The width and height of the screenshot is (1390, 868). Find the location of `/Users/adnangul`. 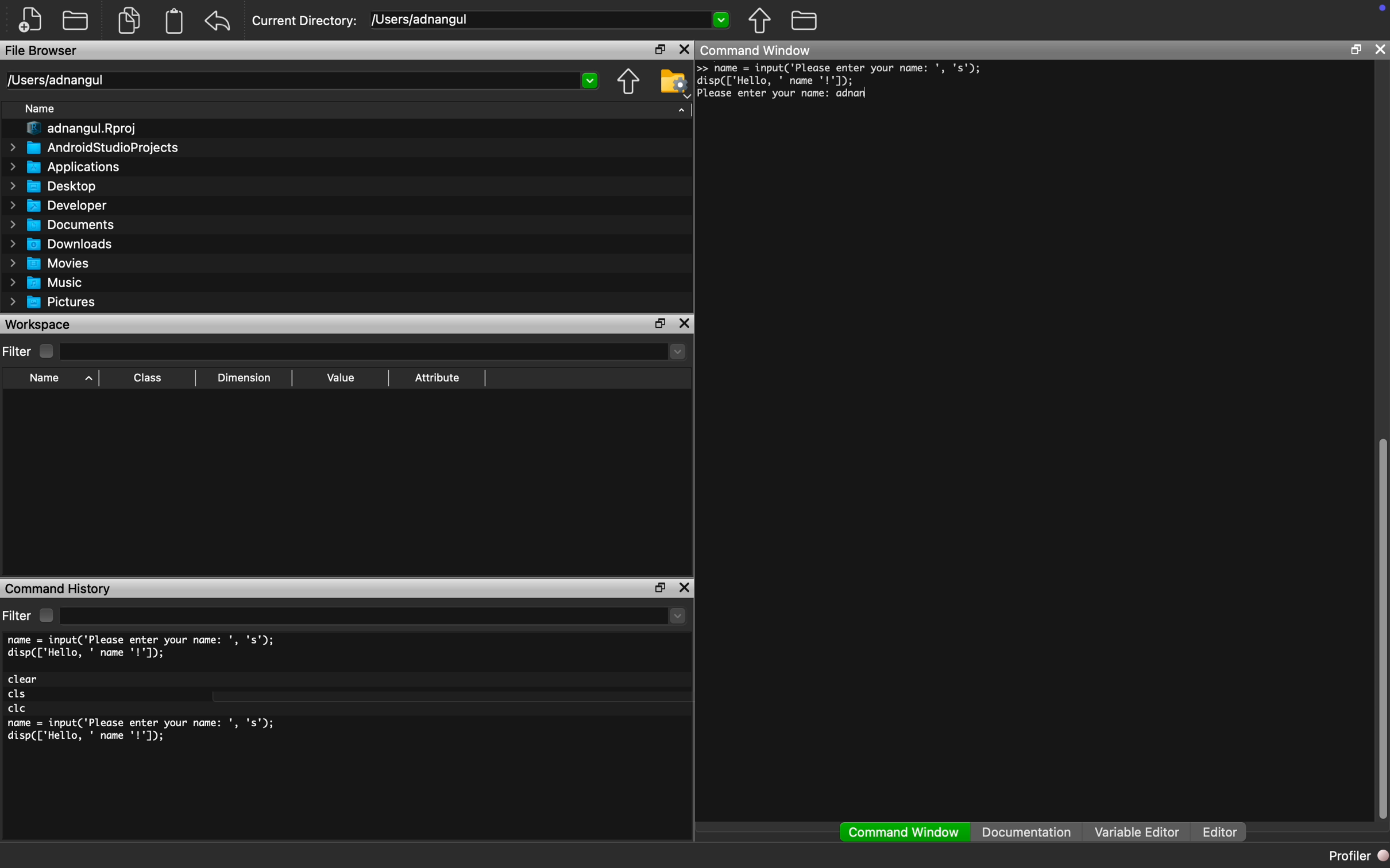

/Users/adnangul is located at coordinates (422, 19).